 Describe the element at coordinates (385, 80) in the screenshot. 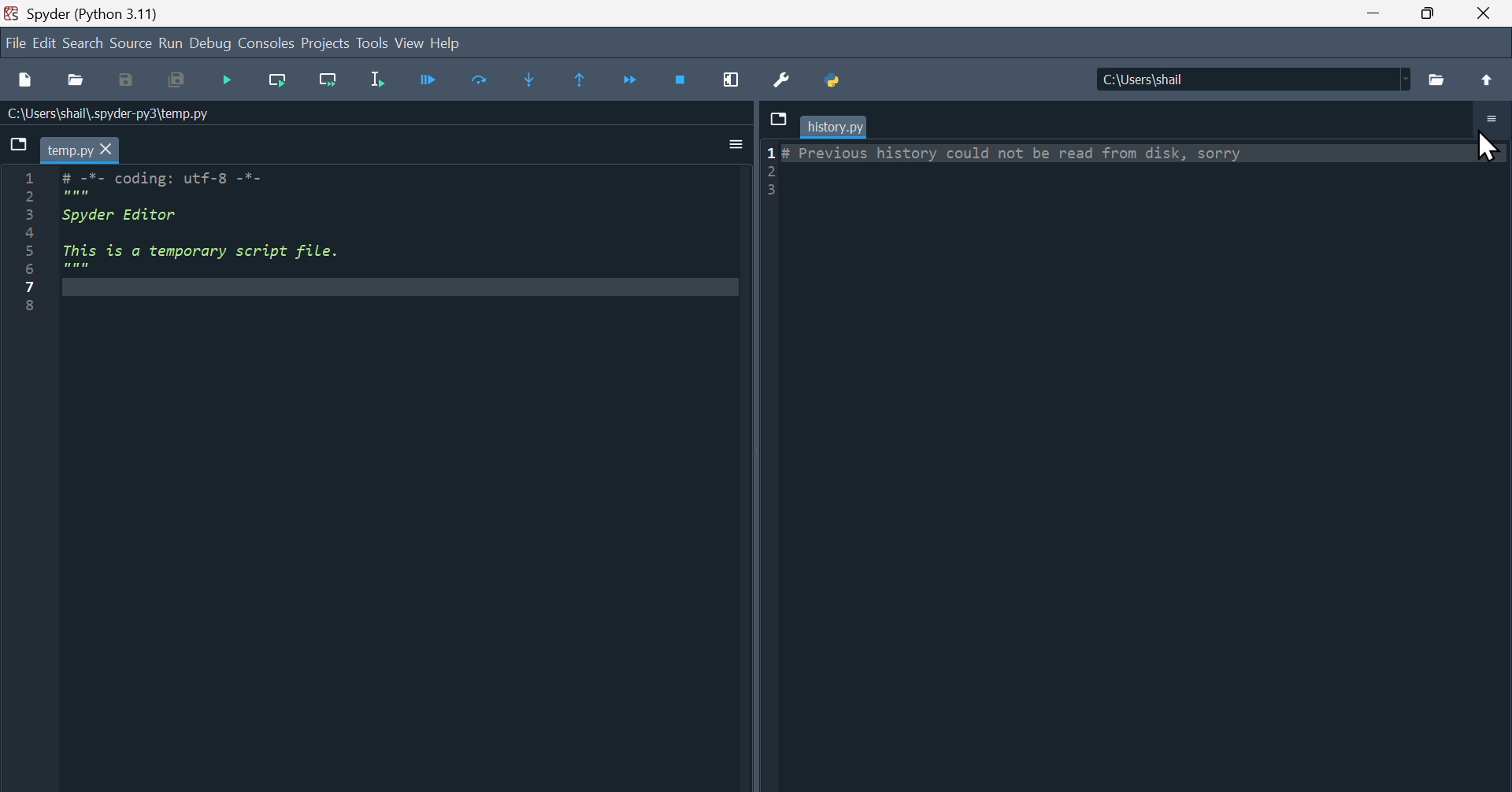

I see `Run Selection` at that location.